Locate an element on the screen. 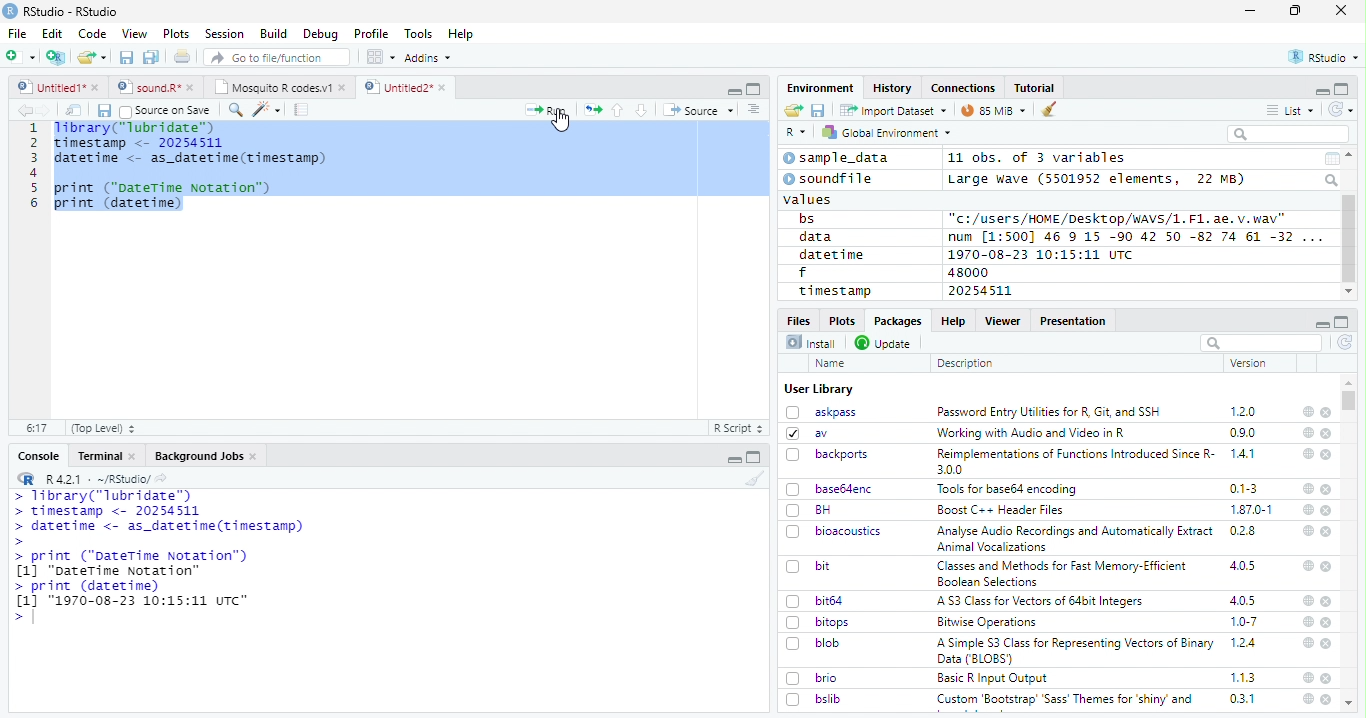 Image resolution: width=1366 pixels, height=718 pixels. bitops is located at coordinates (819, 622).